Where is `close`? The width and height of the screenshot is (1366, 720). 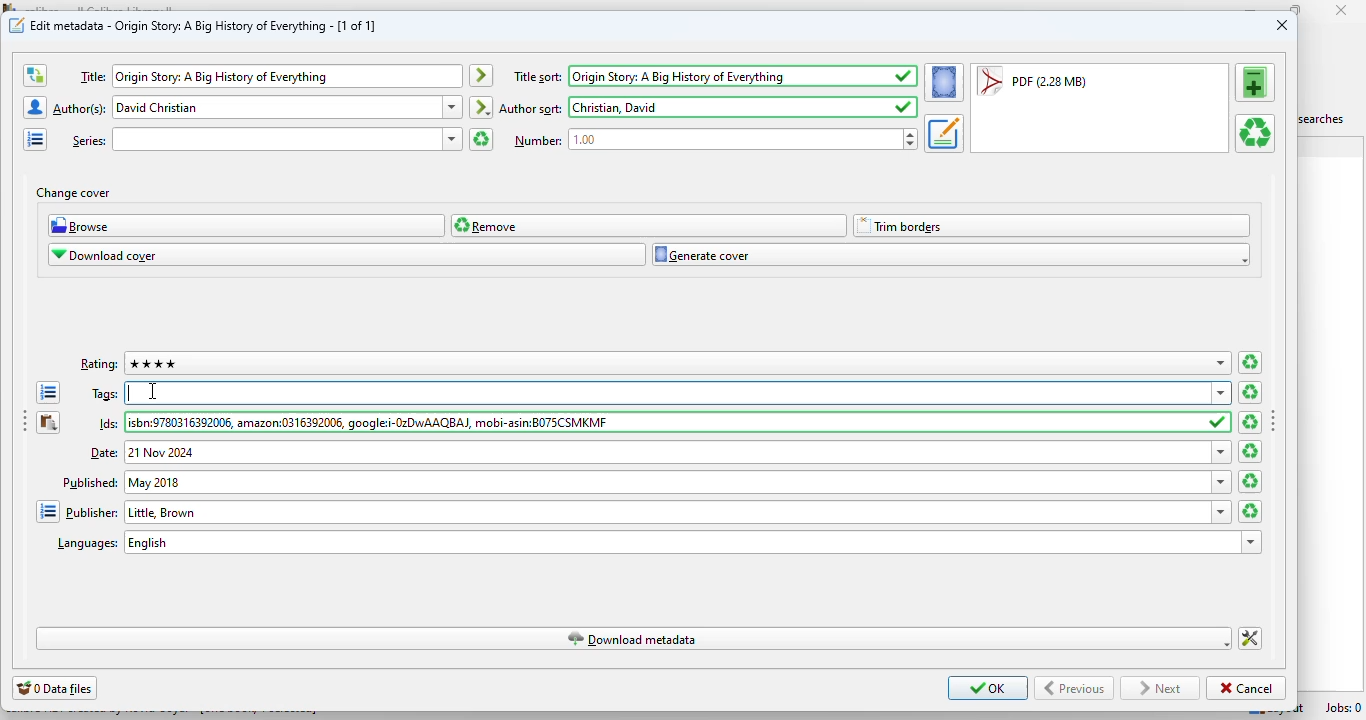
close is located at coordinates (1282, 24).